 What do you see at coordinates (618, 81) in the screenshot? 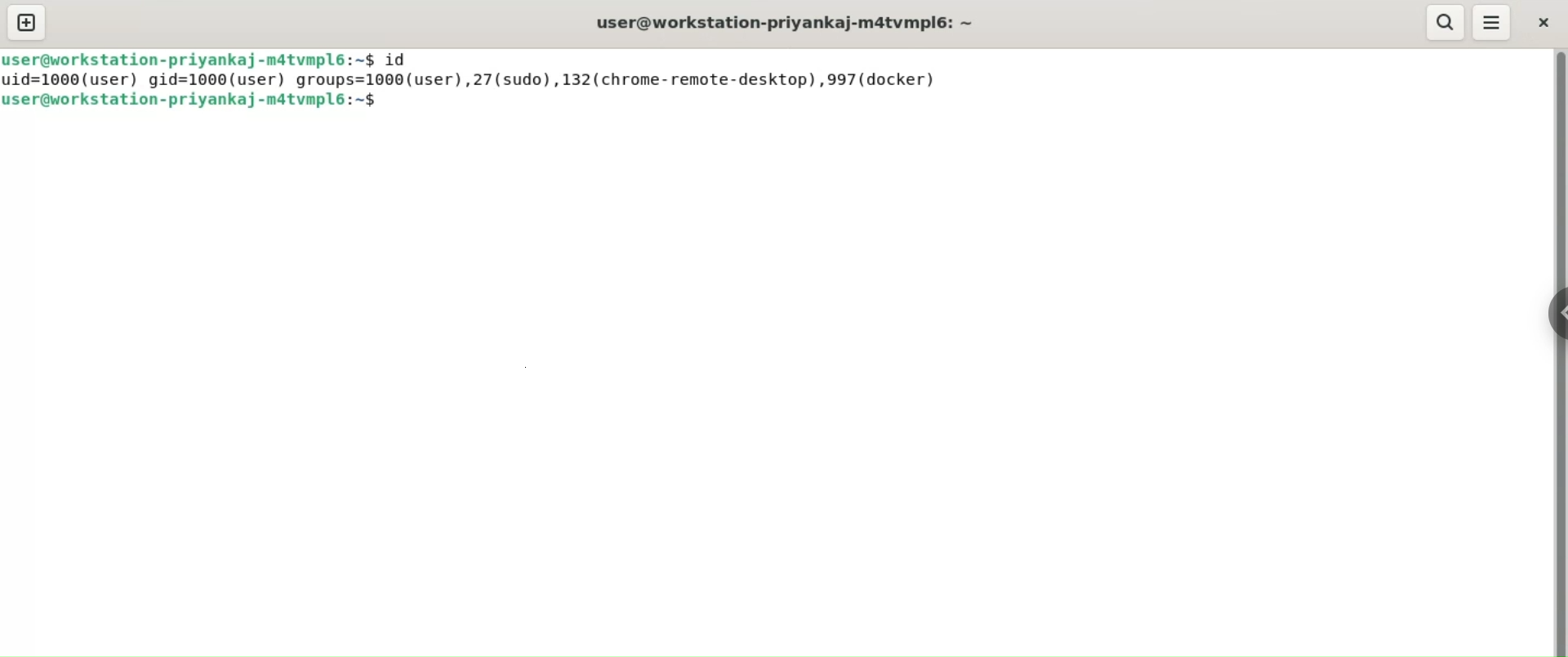
I see `groups=1000(user), 27(sudo), 132(chrome-remote-desktop),997(docker)` at bounding box center [618, 81].